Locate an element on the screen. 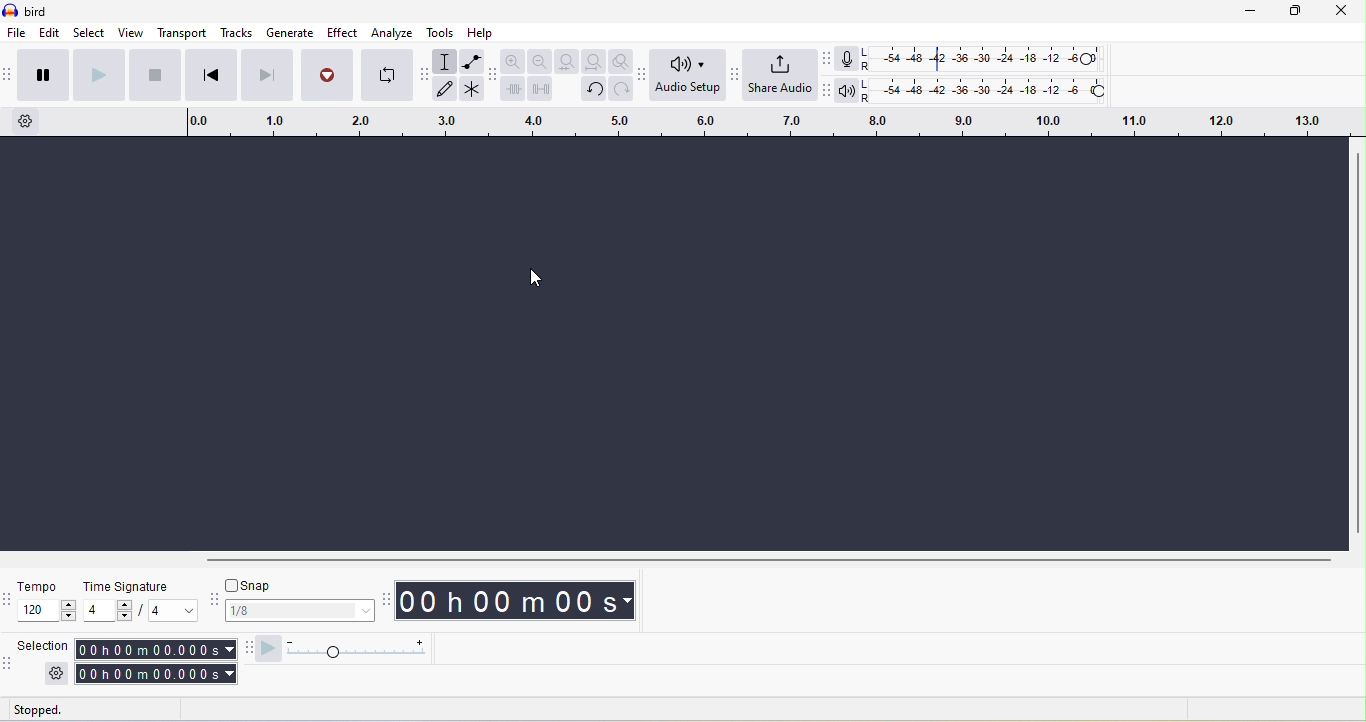 The width and height of the screenshot is (1366, 722). undo is located at coordinates (594, 91).